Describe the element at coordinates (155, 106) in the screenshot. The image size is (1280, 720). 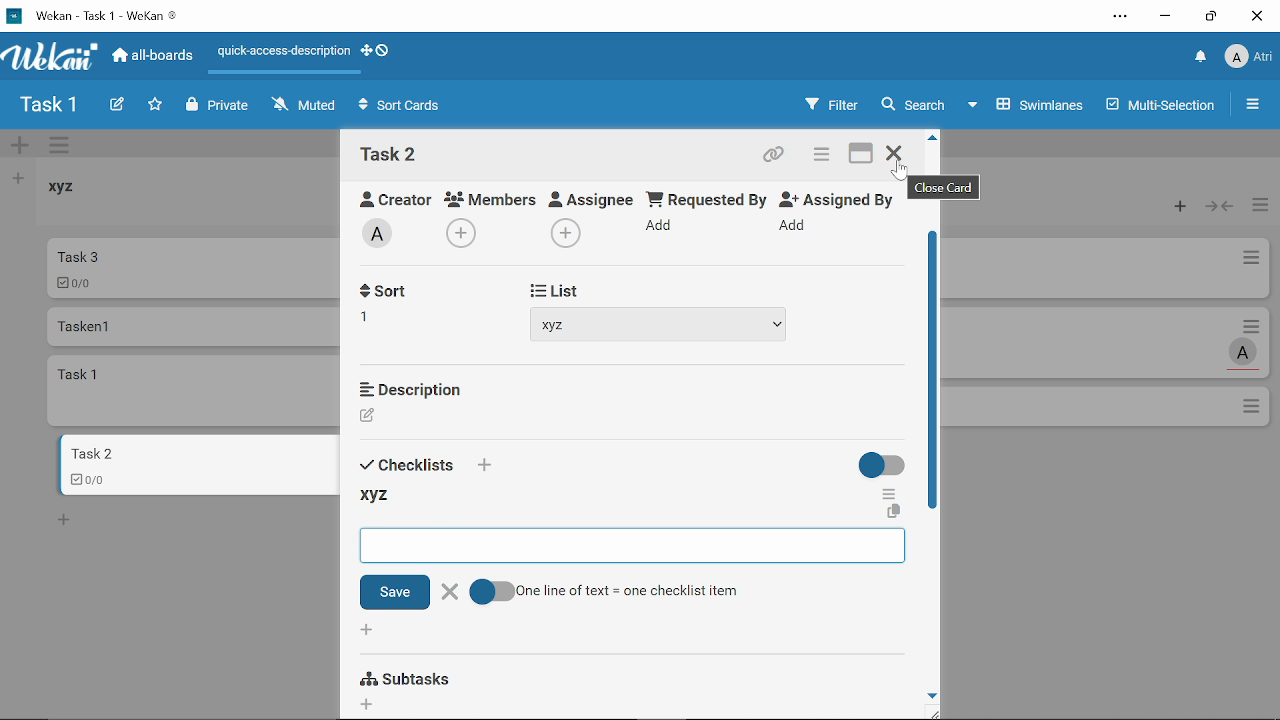
I see `Click here to star this board` at that location.